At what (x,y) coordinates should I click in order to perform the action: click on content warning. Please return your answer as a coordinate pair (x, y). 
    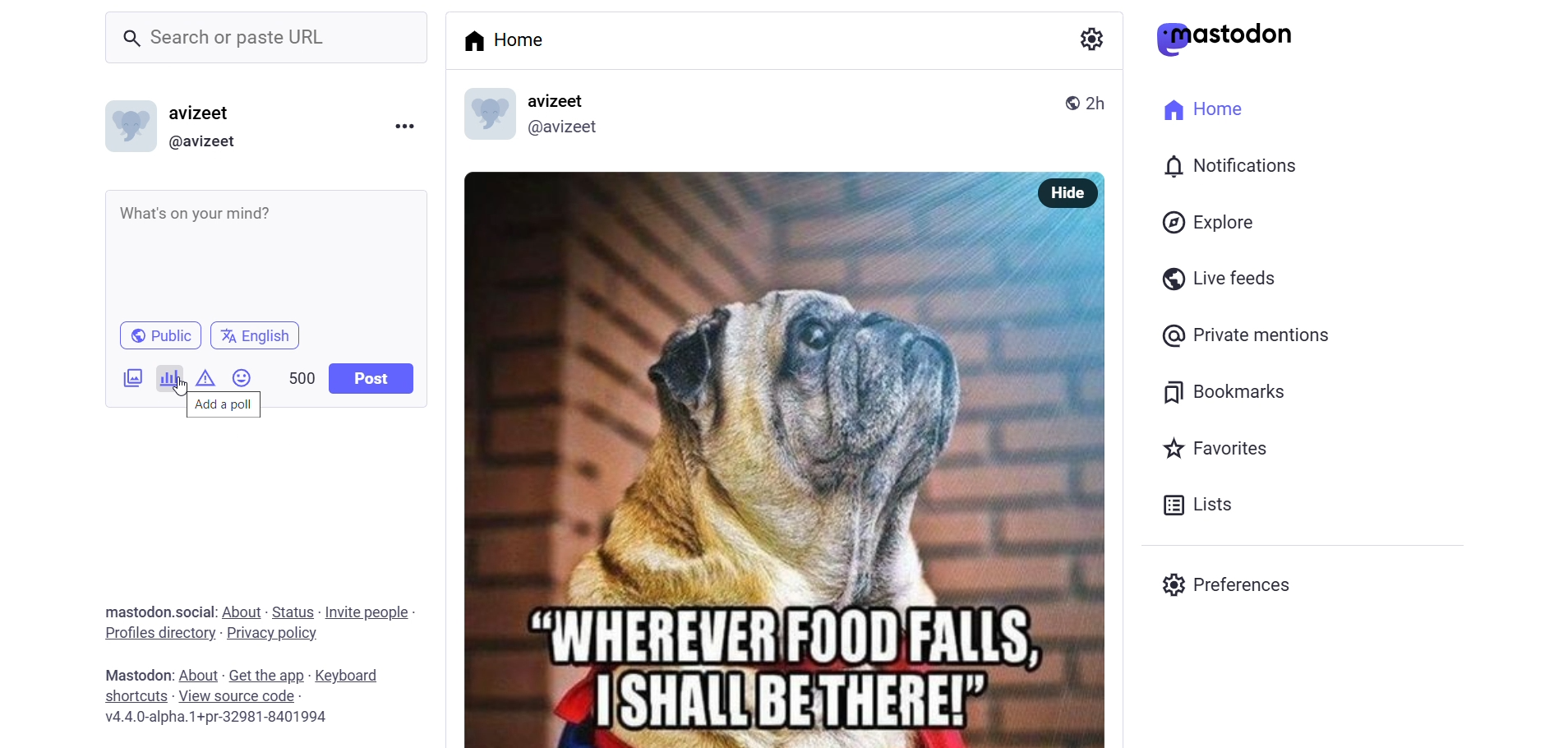
    Looking at the image, I should click on (205, 380).